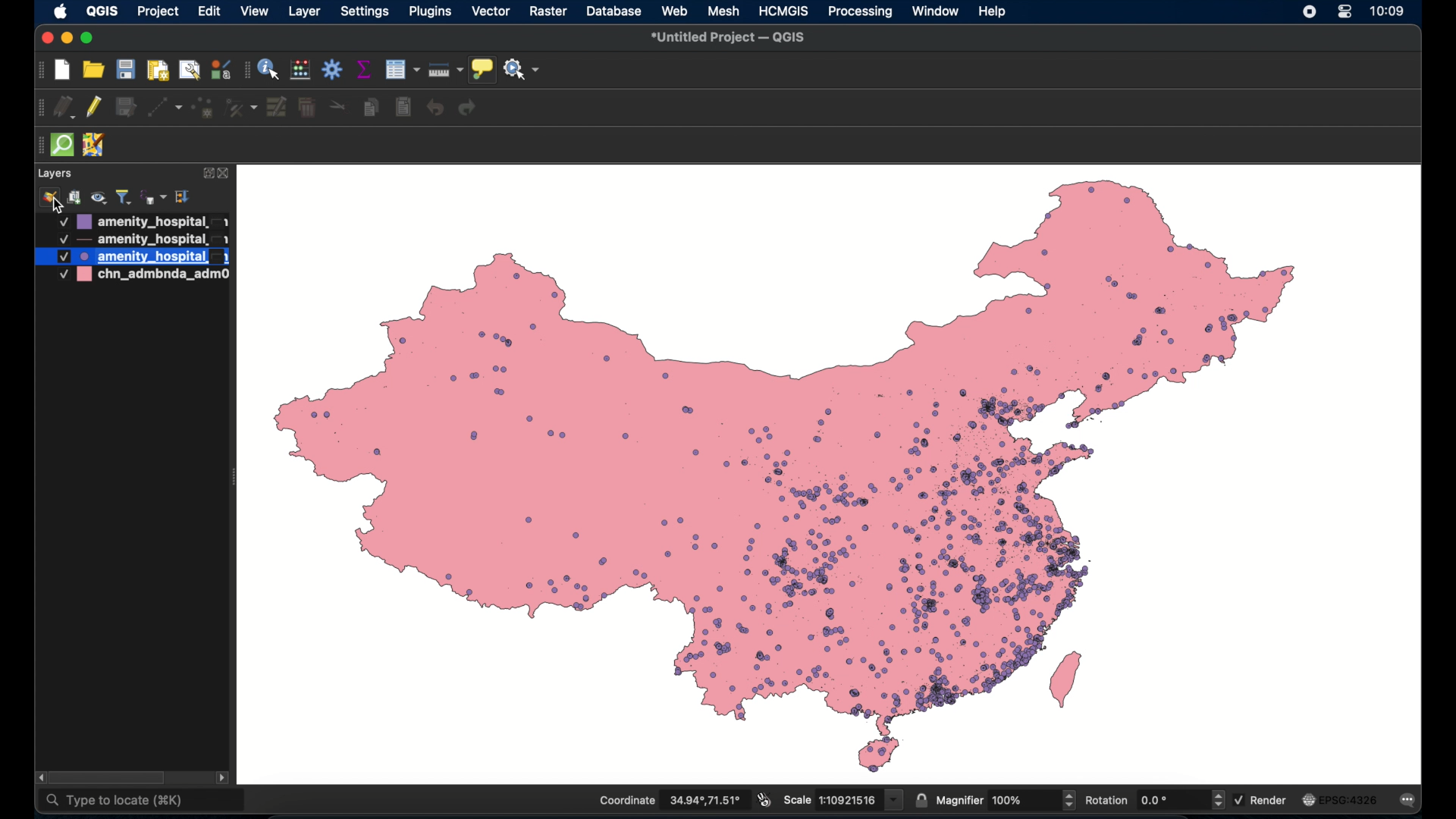 Image resolution: width=1456 pixels, height=819 pixels. What do you see at coordinates (38, 108) in the screenshot?
I see `digitizing with segment` at bounding box center [38, 108].